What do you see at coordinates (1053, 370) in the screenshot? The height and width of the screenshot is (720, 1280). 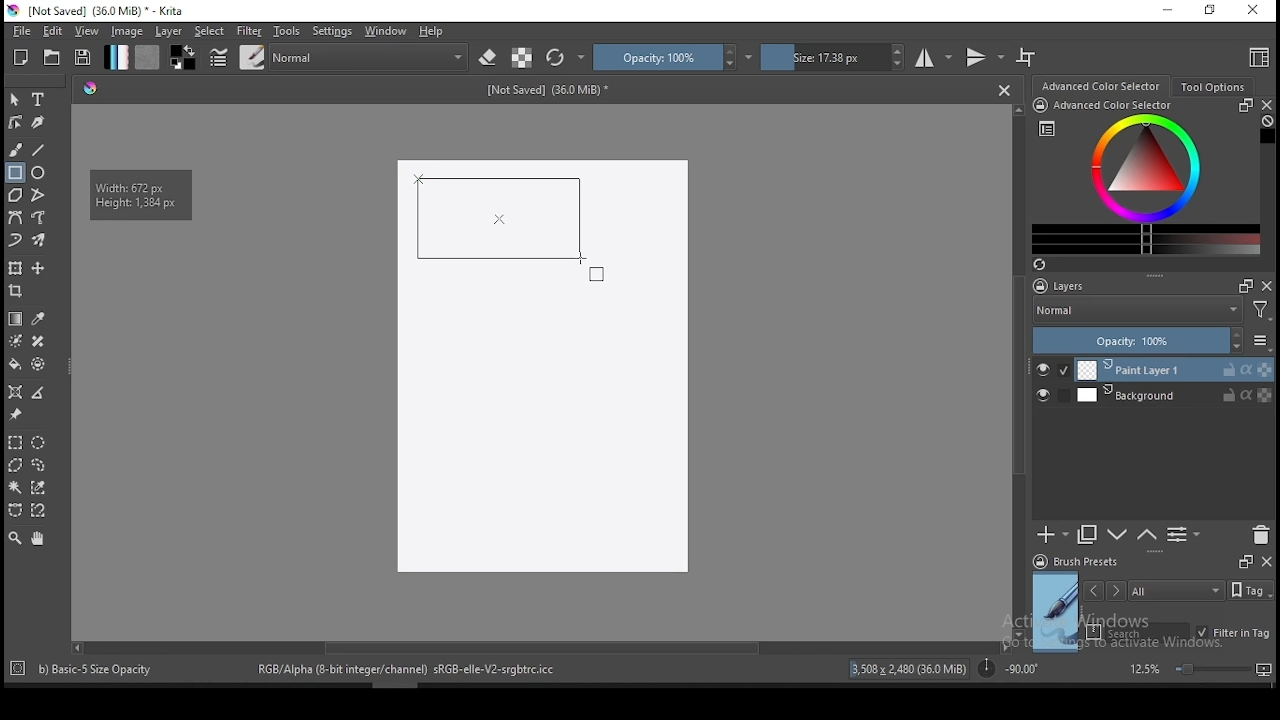 I see `layer visibility on/off` at bounding box center [1053, 370].